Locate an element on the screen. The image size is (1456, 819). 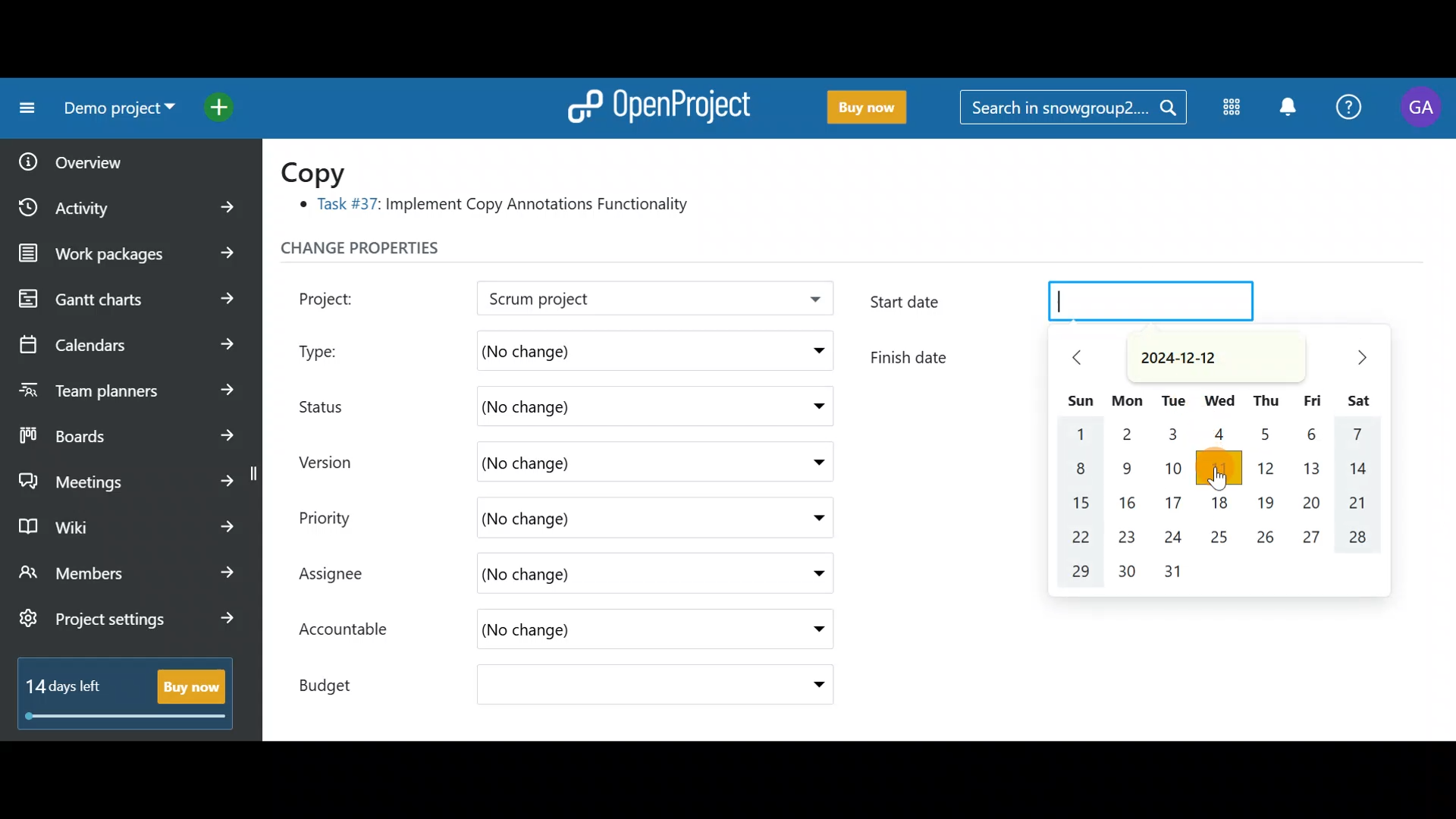
Cursor on 11 is located at coordinates (1221, 470).